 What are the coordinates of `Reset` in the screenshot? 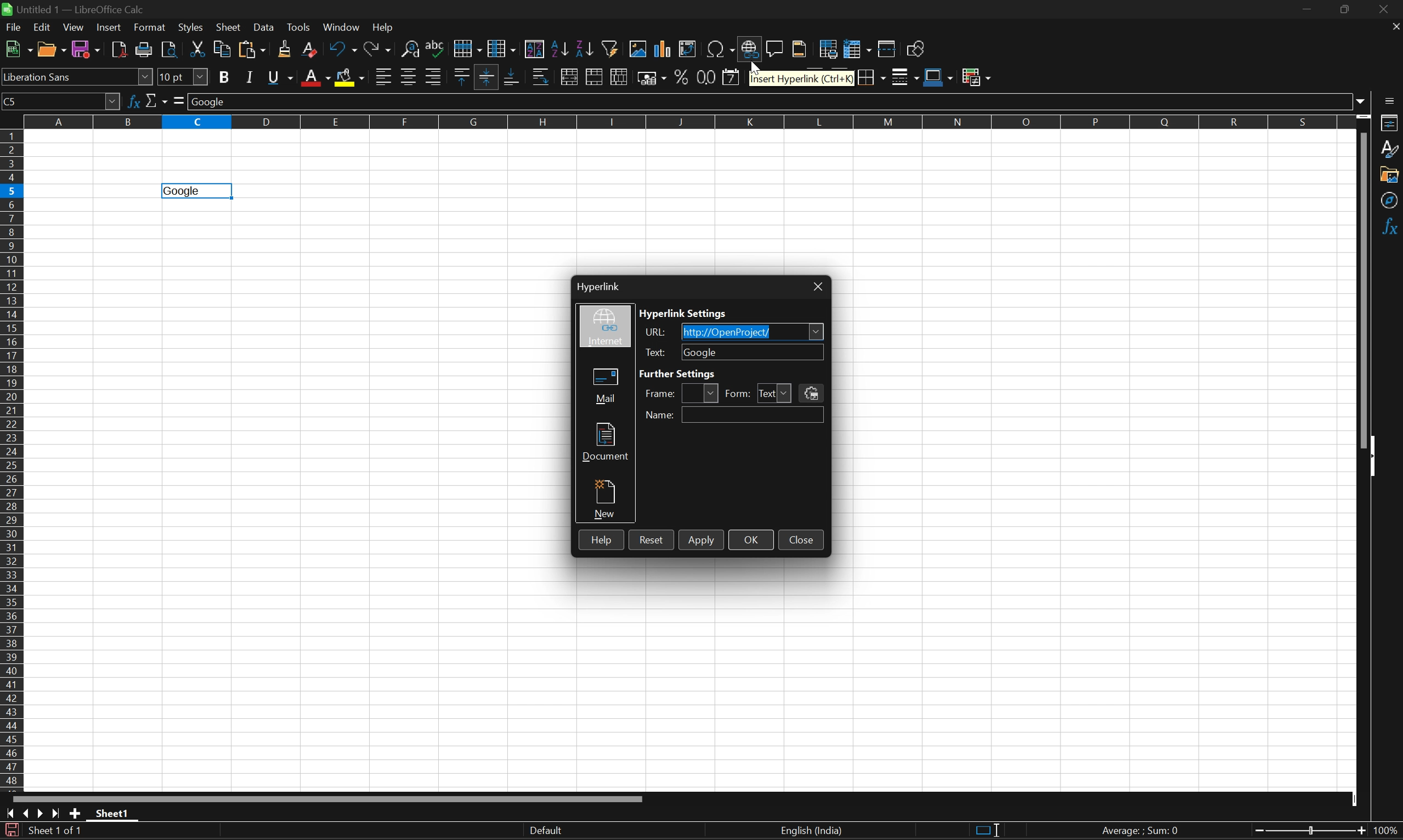 It's located at (652, 541).